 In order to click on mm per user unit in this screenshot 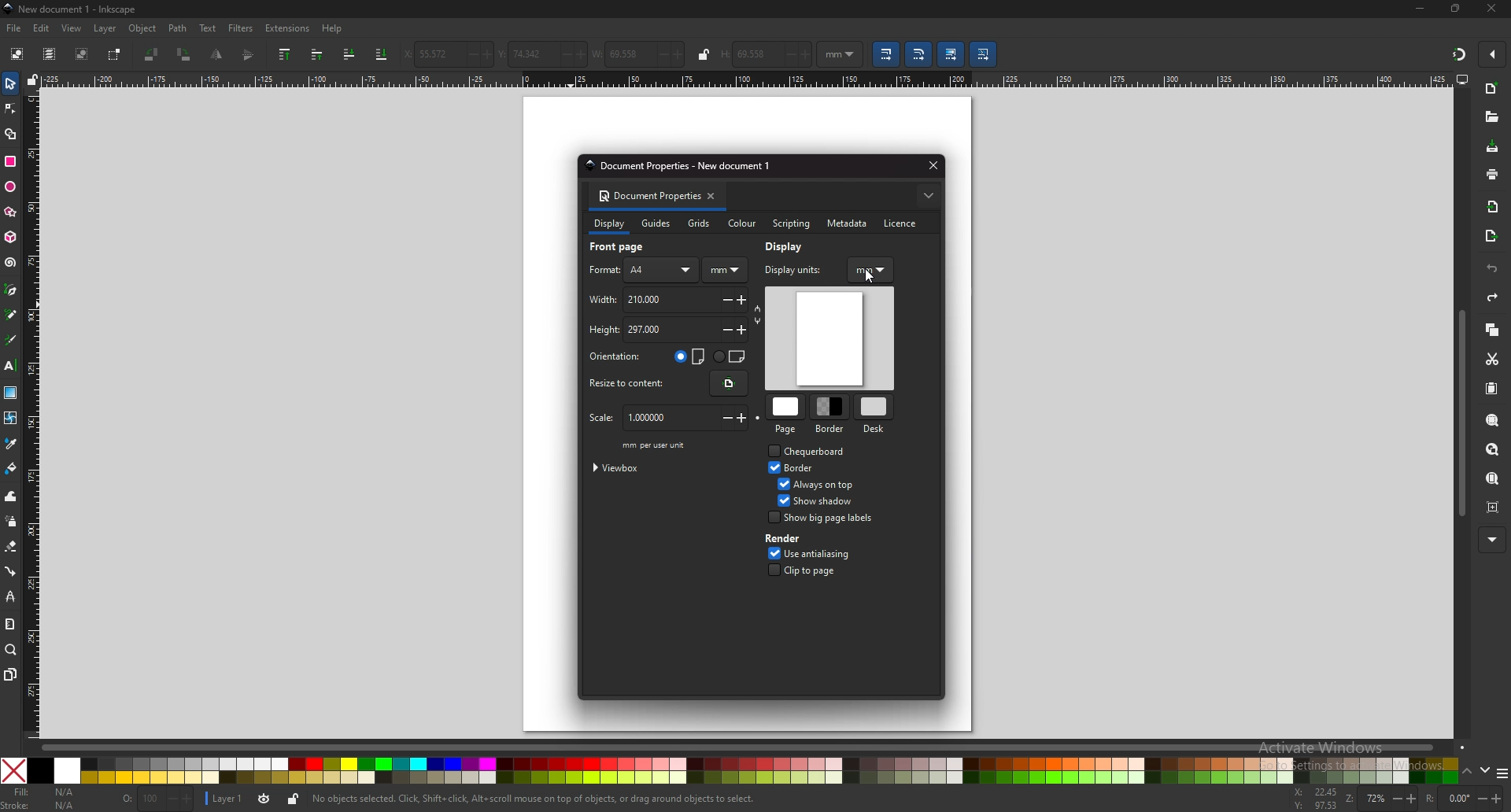, I will do `click(656, 445)`.